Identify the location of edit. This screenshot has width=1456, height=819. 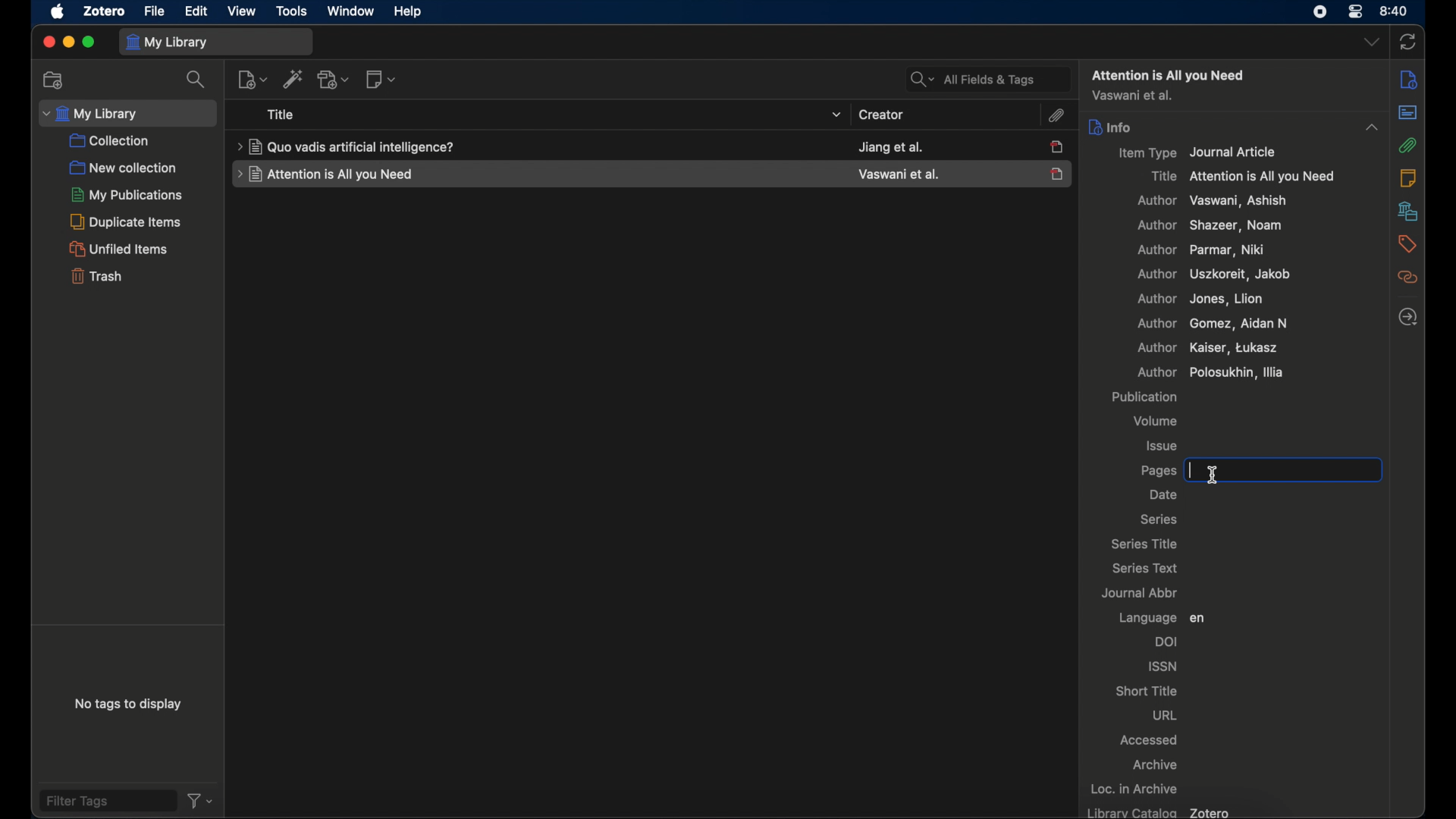
(196, 13).